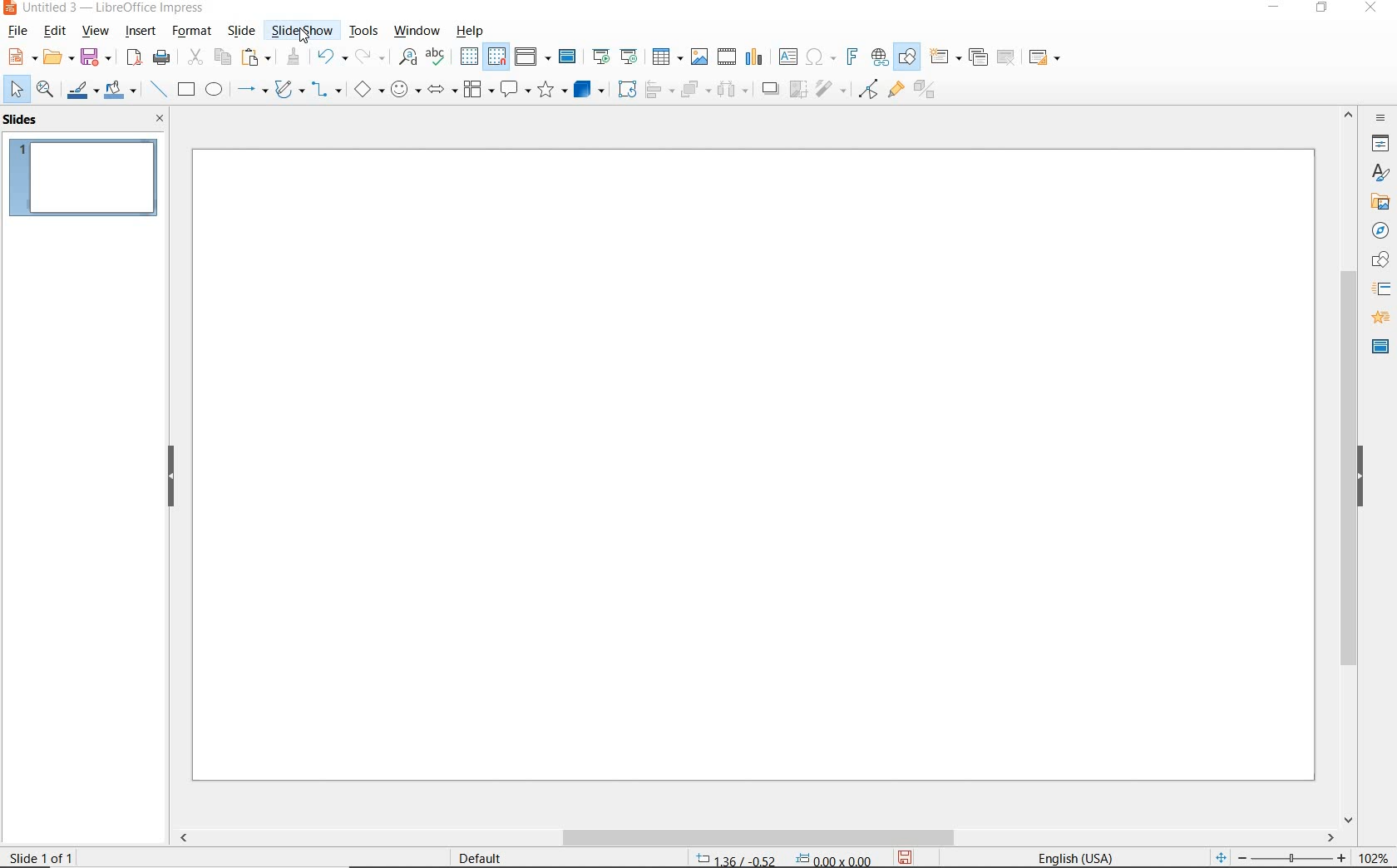 The width and height of the screenshot is (1397, 868). Describe the element at coordinates (120, 91) in the screenshot. I see `FILL COLOR` at that location.